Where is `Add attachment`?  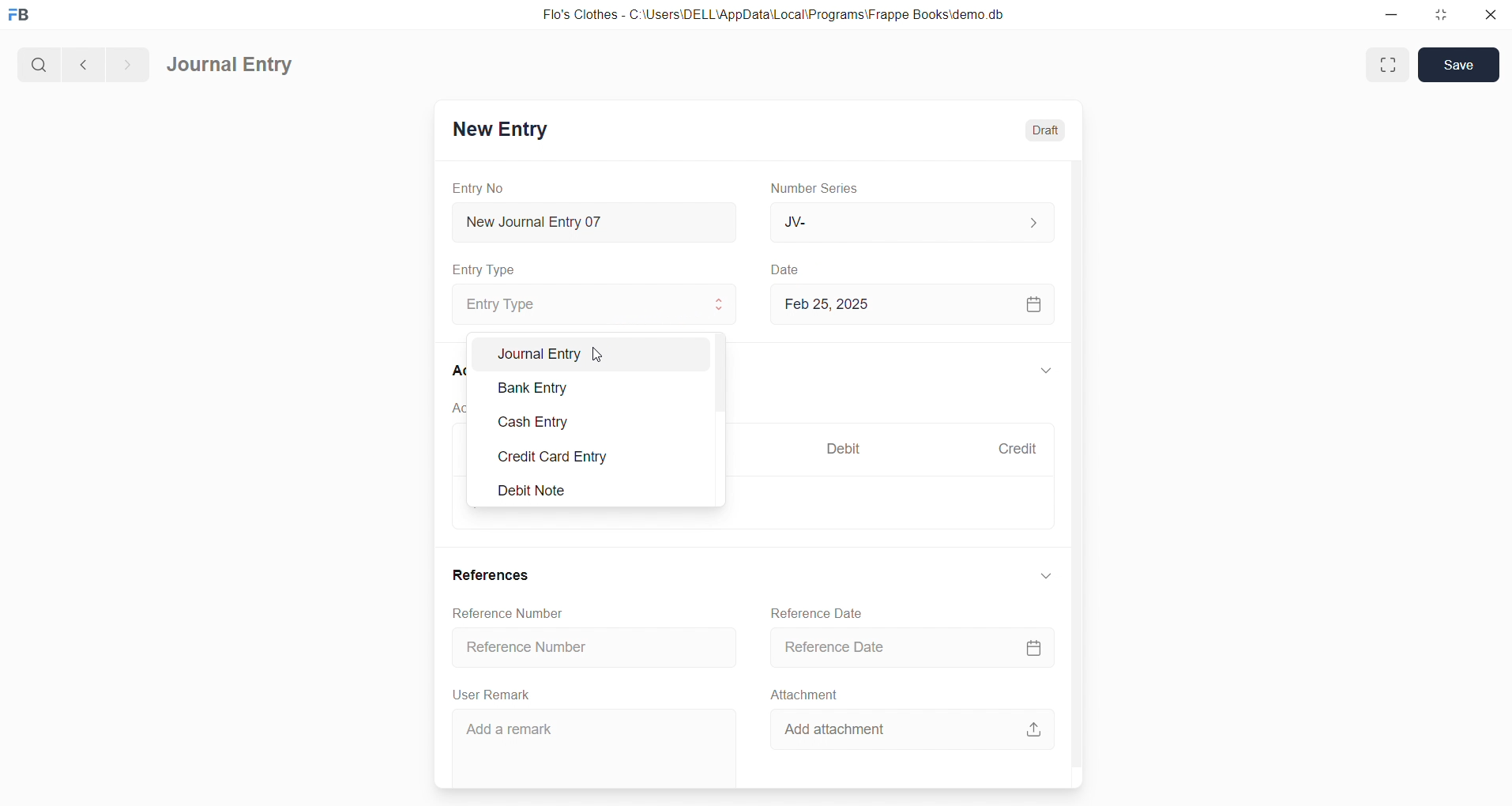
Add attachment is located at coordinates (911, 729).